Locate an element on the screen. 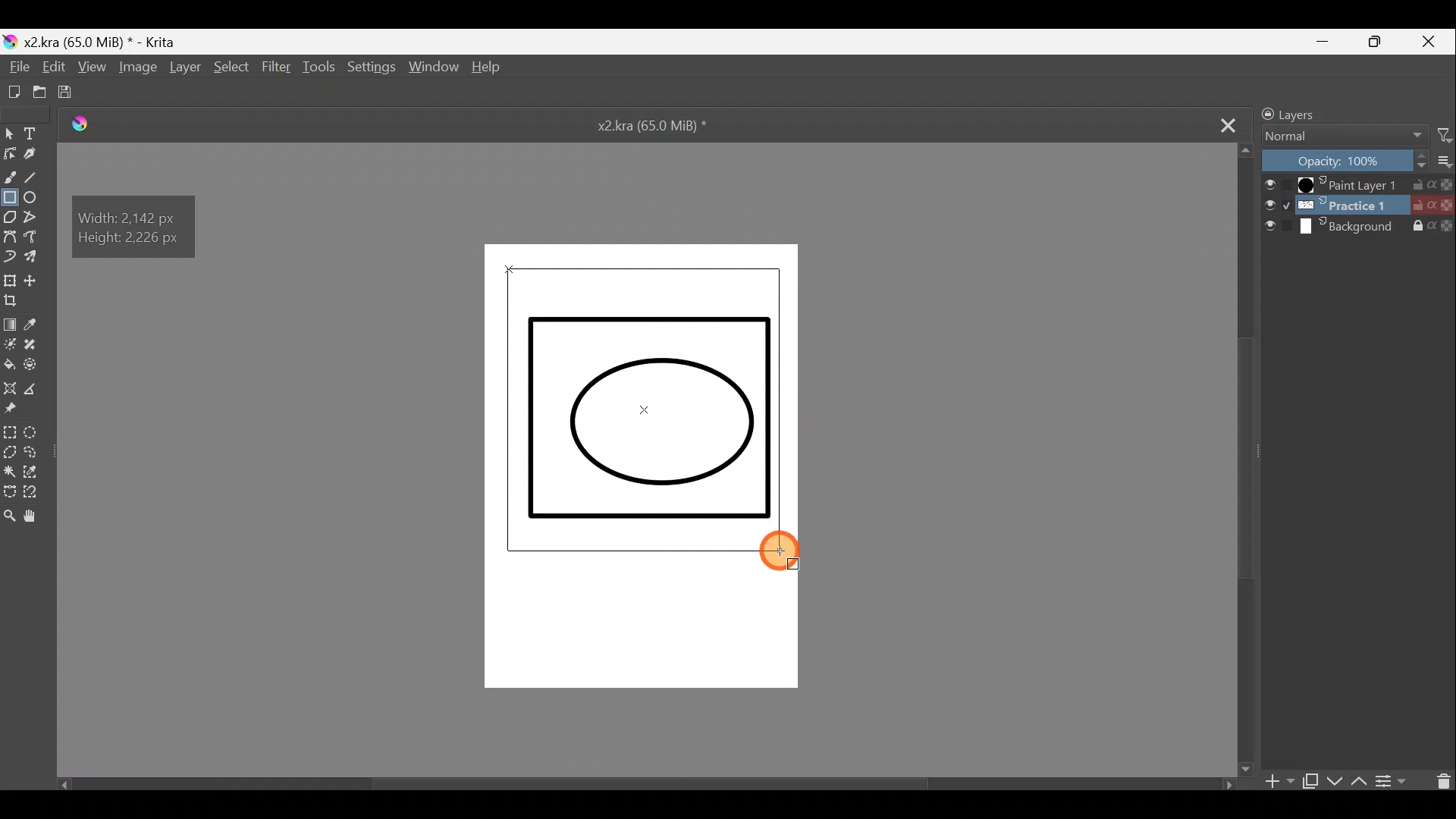 The height and width of the screenshot is (819, 1456). Rectangle shape being drawn is located at coordinates (643, 406).